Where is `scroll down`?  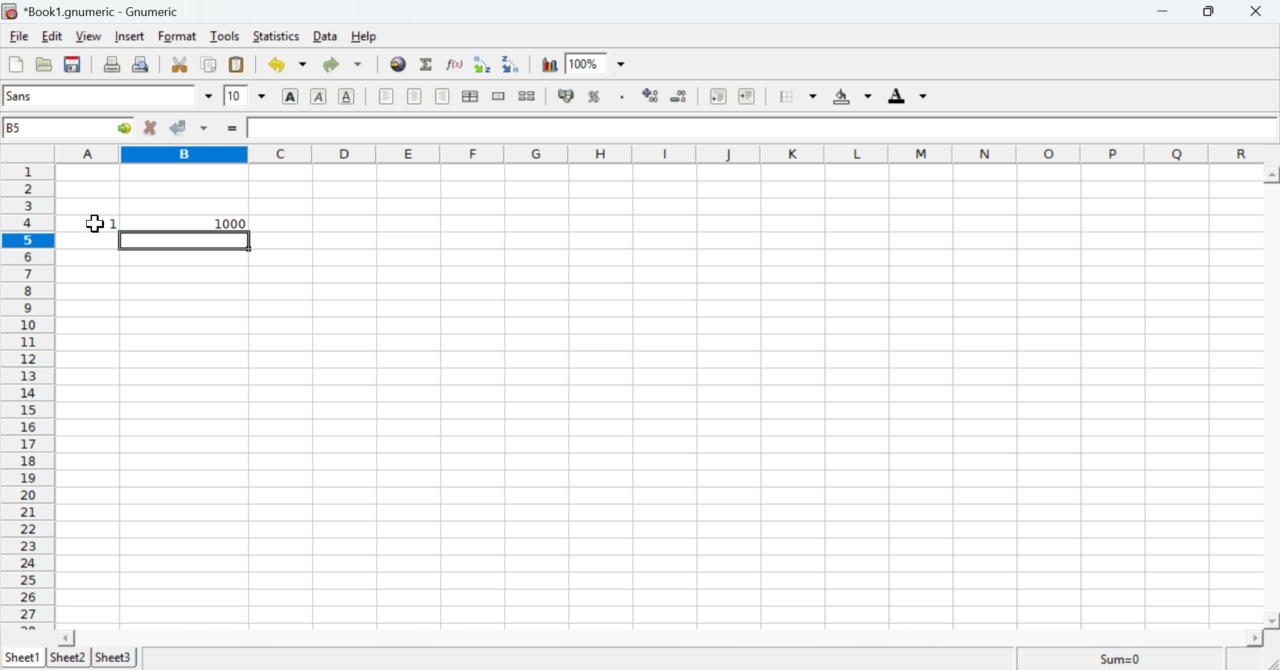
scroll down is located at coordinates (1272, 621).